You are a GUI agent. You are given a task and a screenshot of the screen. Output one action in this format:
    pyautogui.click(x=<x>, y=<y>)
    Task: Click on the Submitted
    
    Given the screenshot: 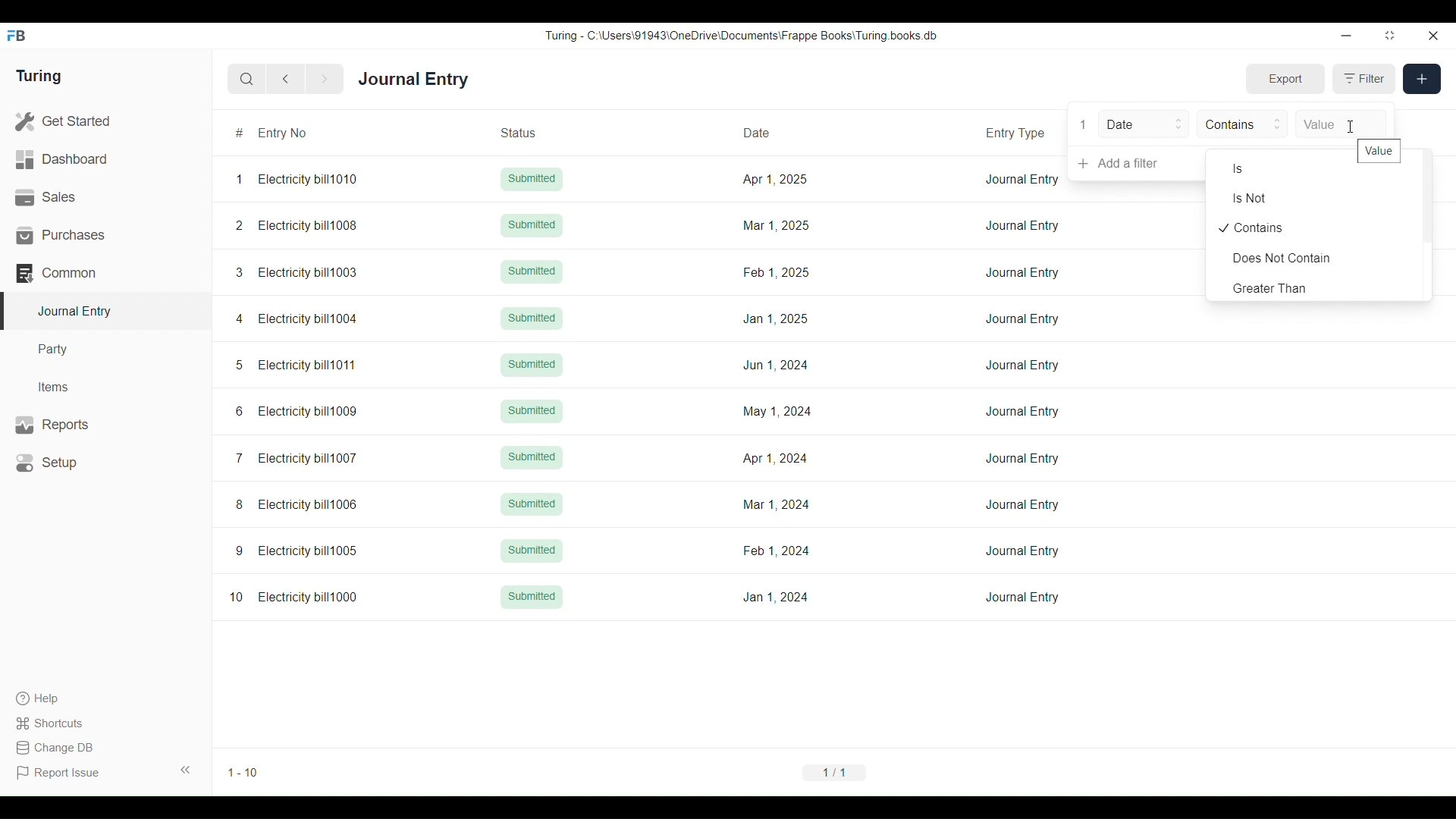 What is the action you would take?
    pyautogui.click(x=532, y=596)
    